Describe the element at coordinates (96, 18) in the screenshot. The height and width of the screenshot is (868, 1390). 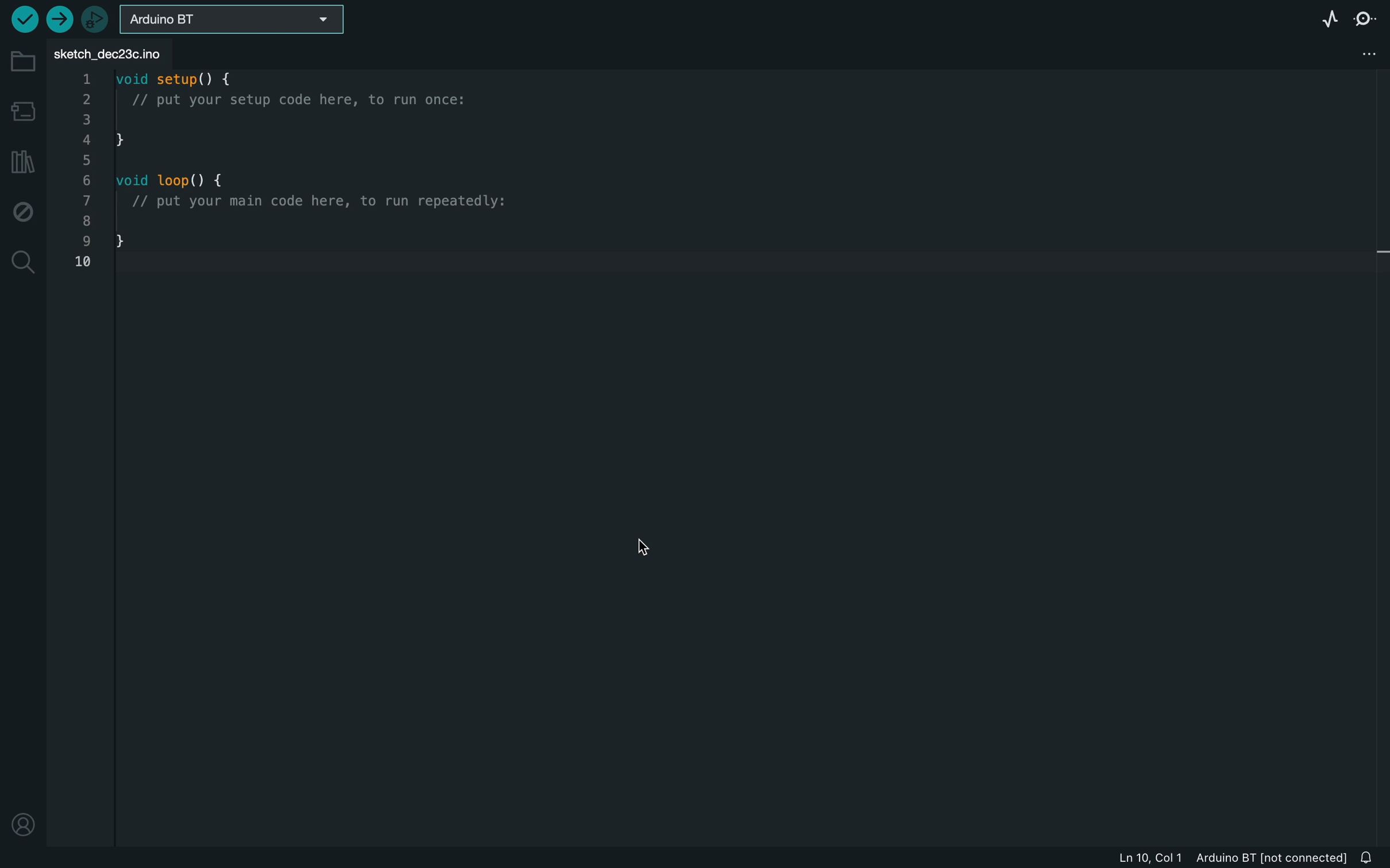
I see `debugger` at that location.